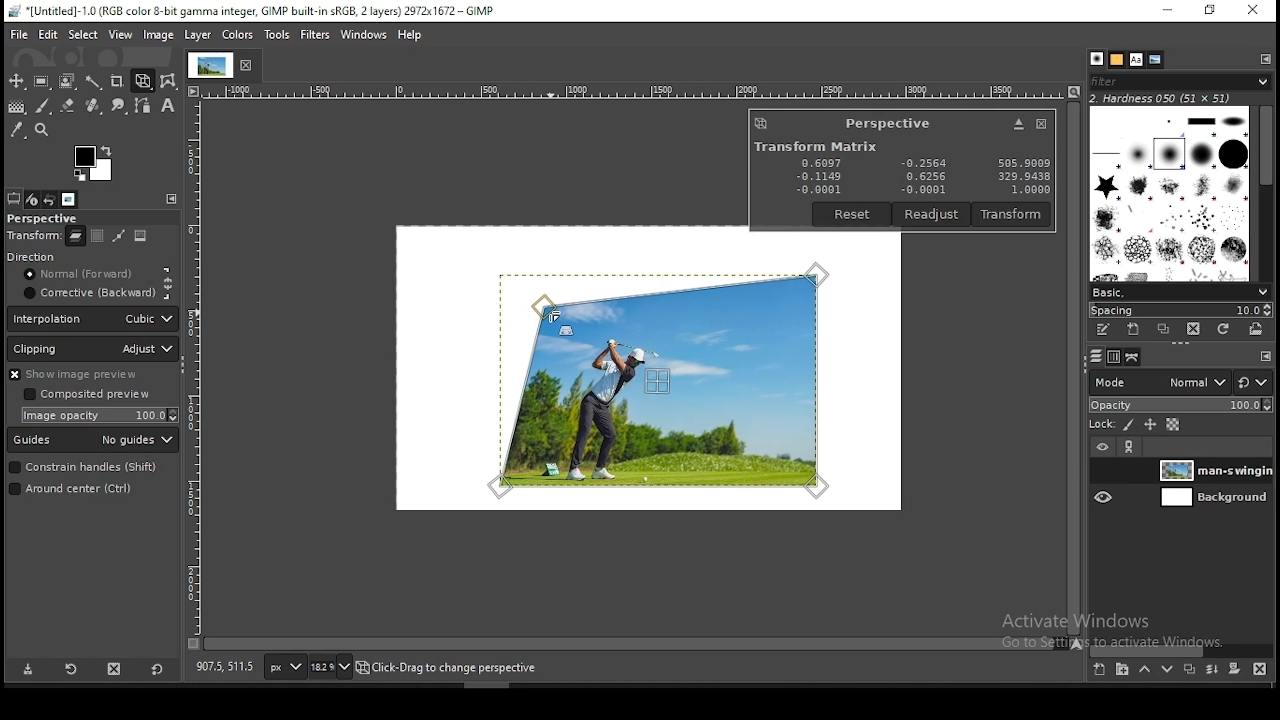  Describe the element at coordinates (1170, 194) in the screenshot. I see `brushes` at that location.